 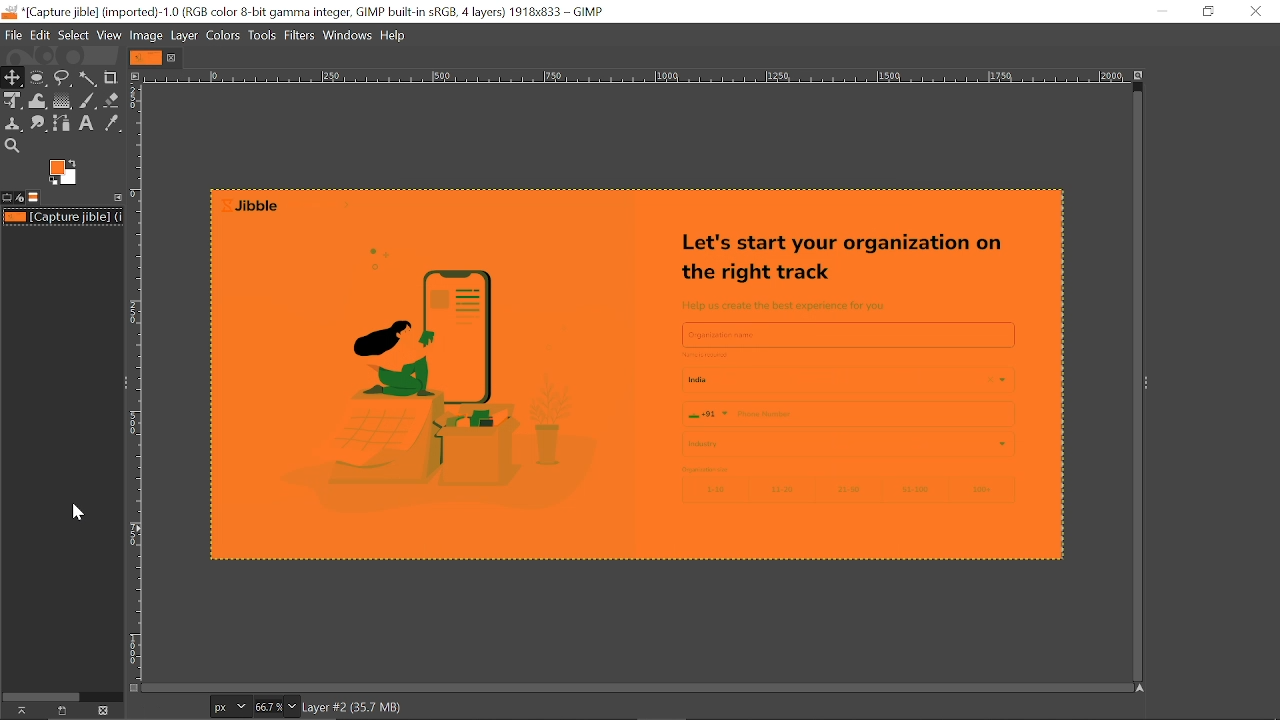 I want to click on Gradient tool, so click(x=63, y=101).